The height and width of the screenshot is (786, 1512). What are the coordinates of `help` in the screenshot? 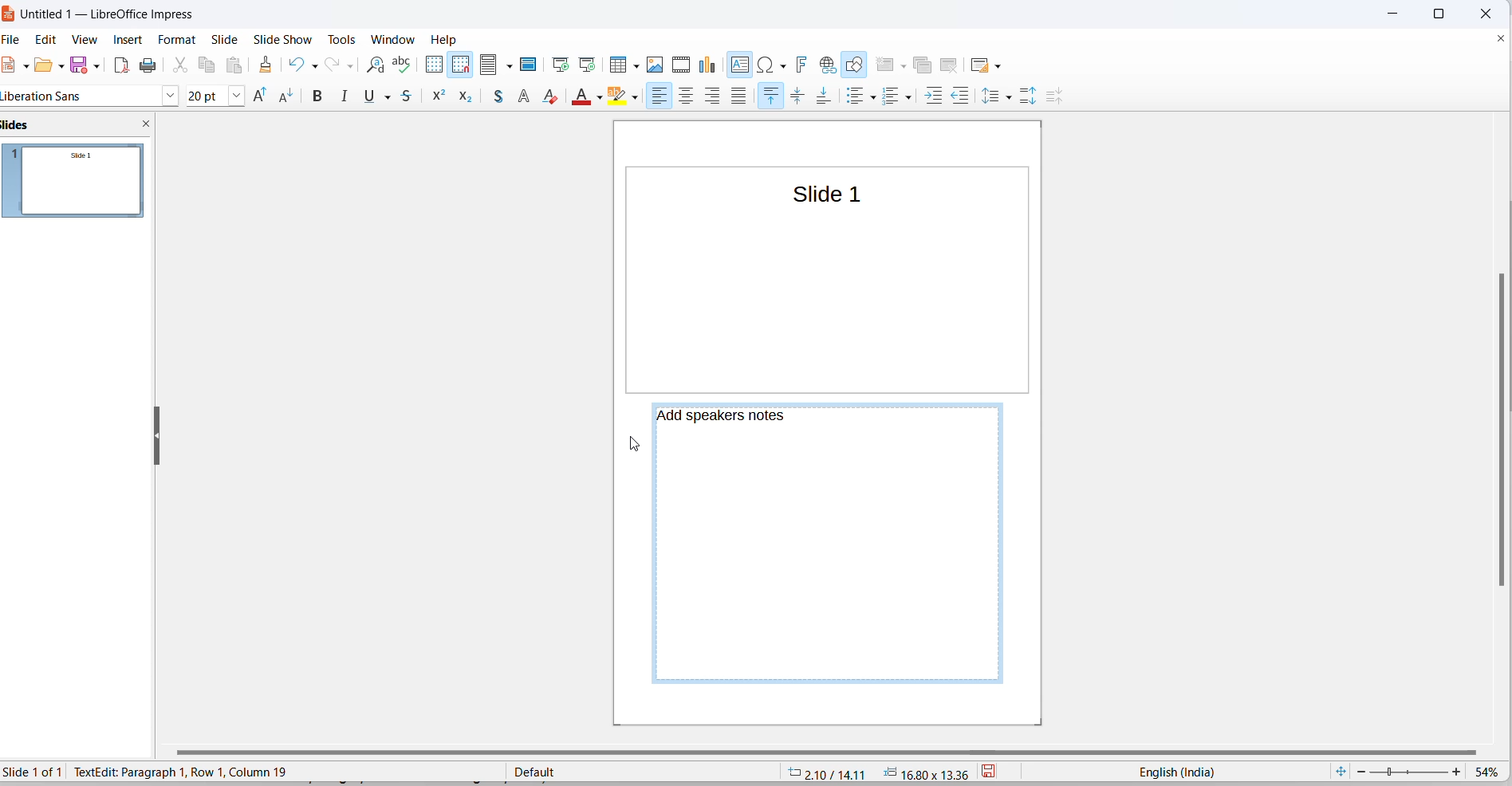 It's located at (445, 39).